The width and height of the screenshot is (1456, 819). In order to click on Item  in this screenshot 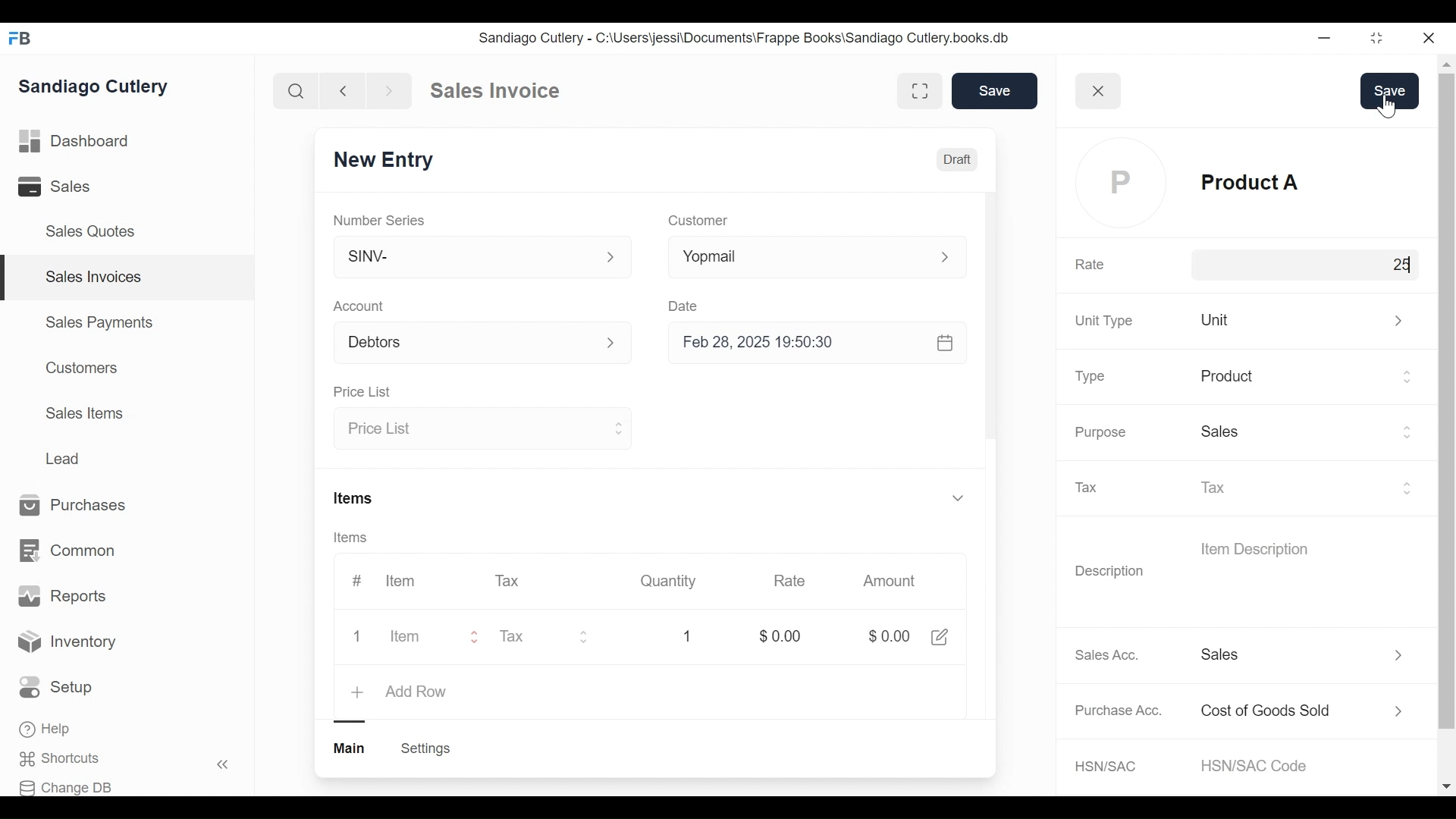, I will do `click(413, 635)`.